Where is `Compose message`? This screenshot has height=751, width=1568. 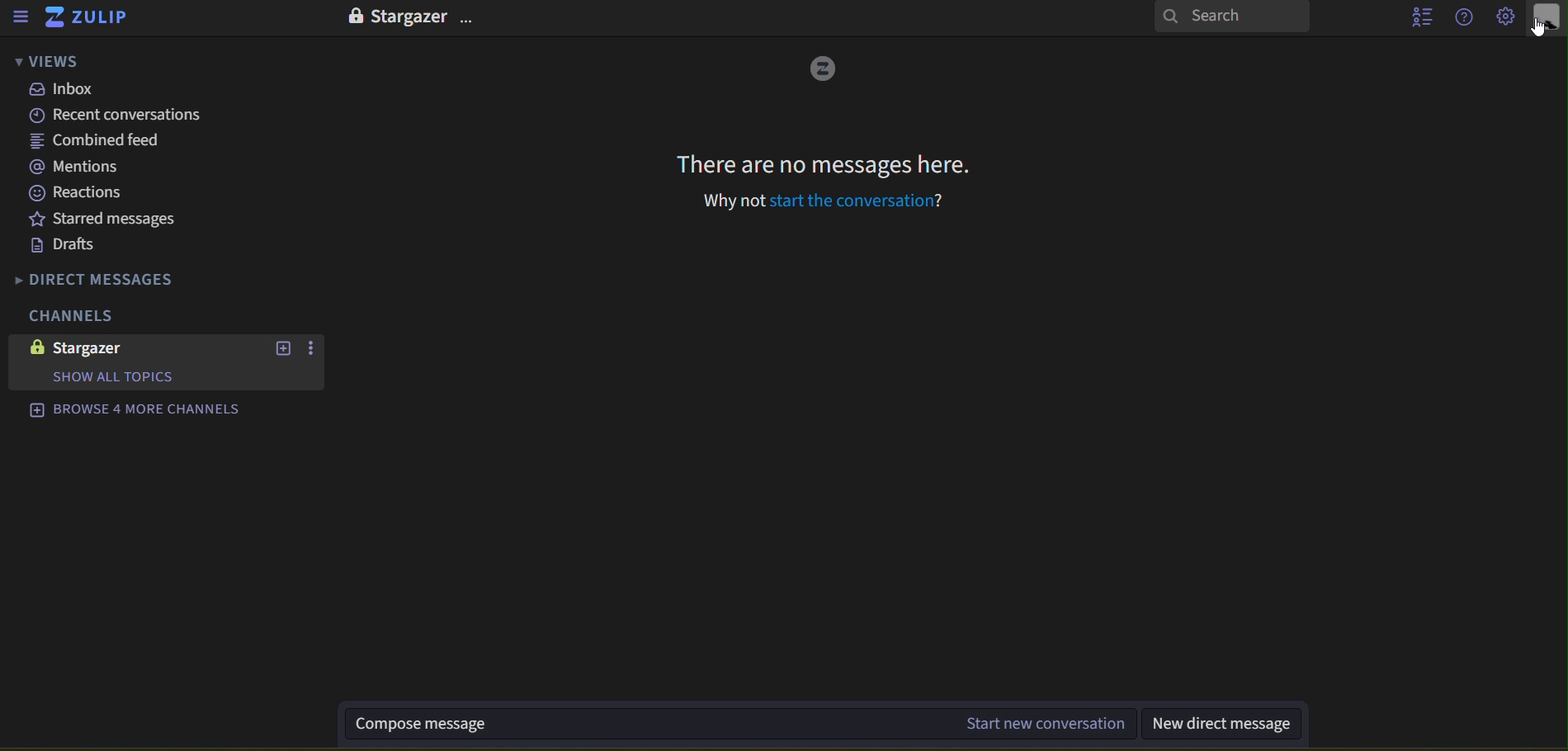
Compose message is located at coordinates (642, 725).